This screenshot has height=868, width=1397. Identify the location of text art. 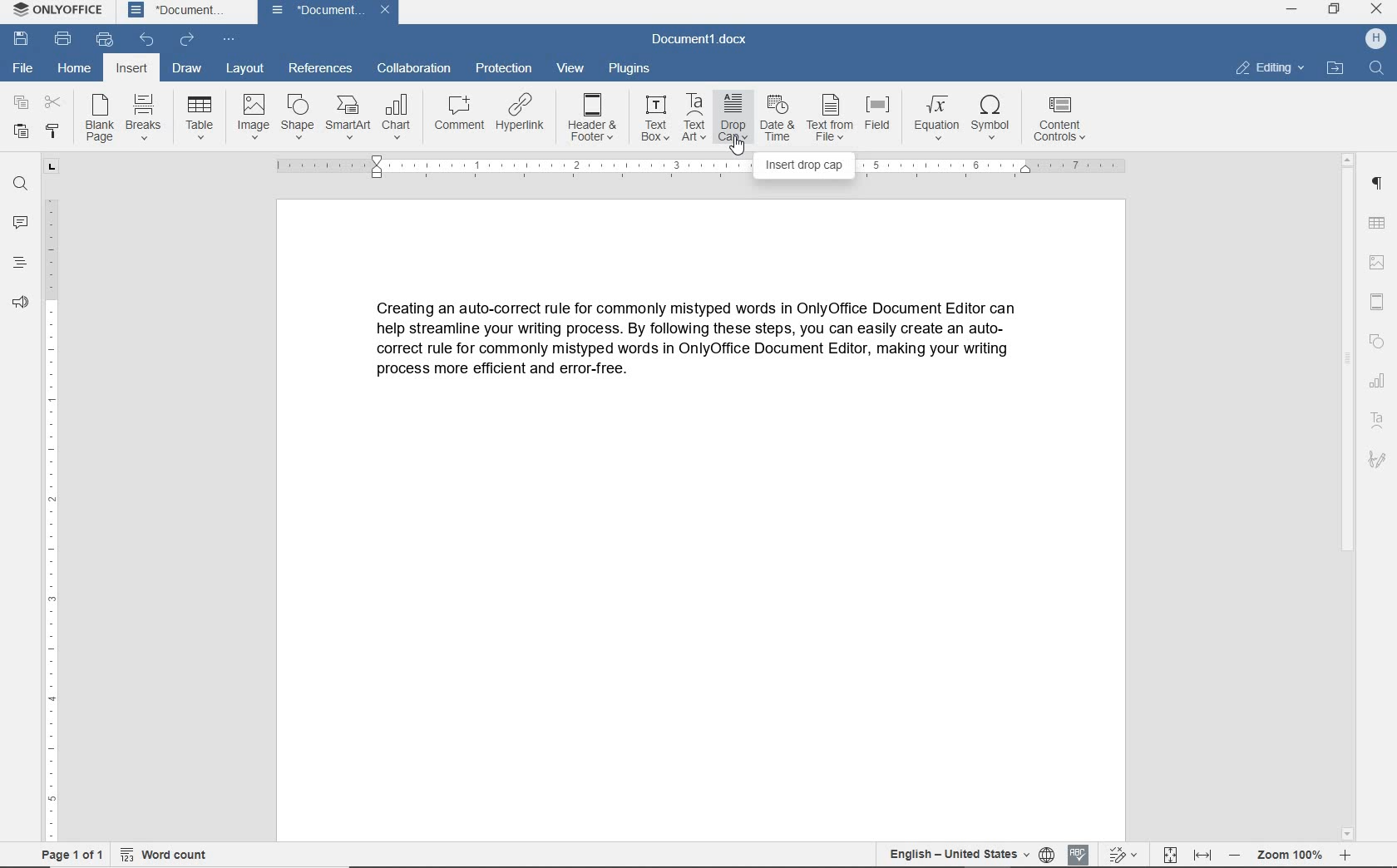
(693, 118).